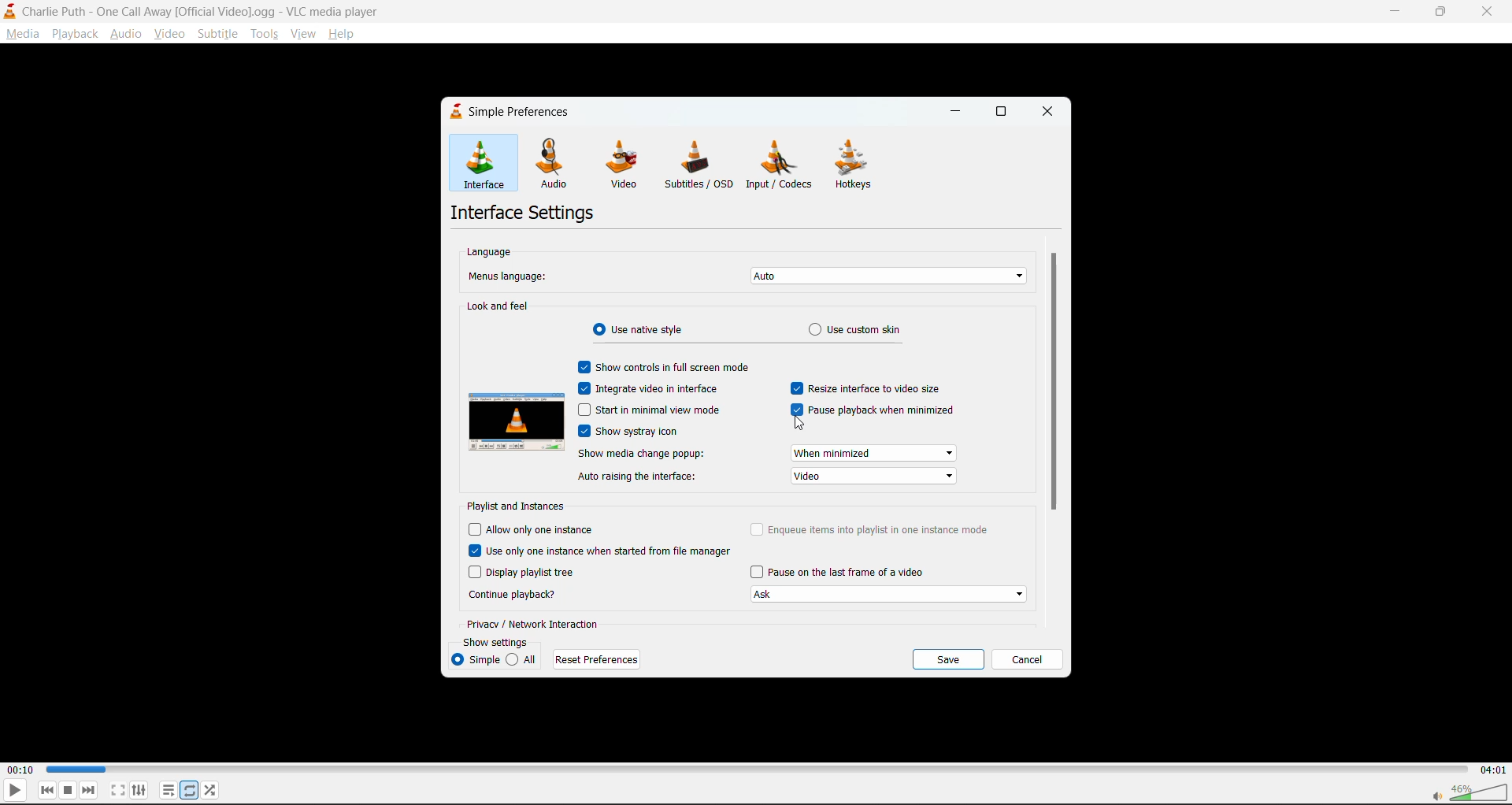  Describe the element at coordinates (70, 791) in the screenshot. I see `stop` at that location.